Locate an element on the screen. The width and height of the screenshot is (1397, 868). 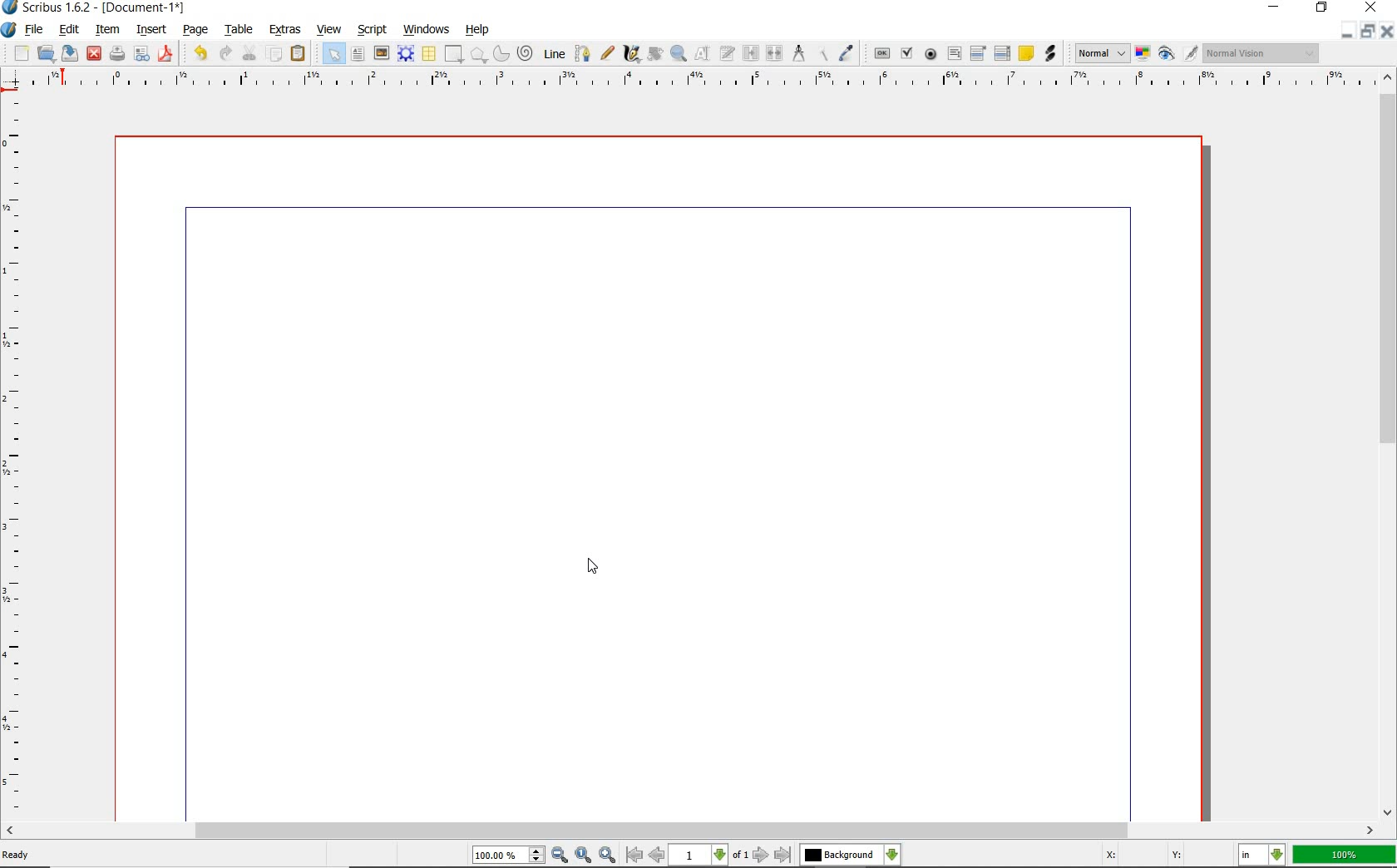
page is located at coordinates (197, 31).